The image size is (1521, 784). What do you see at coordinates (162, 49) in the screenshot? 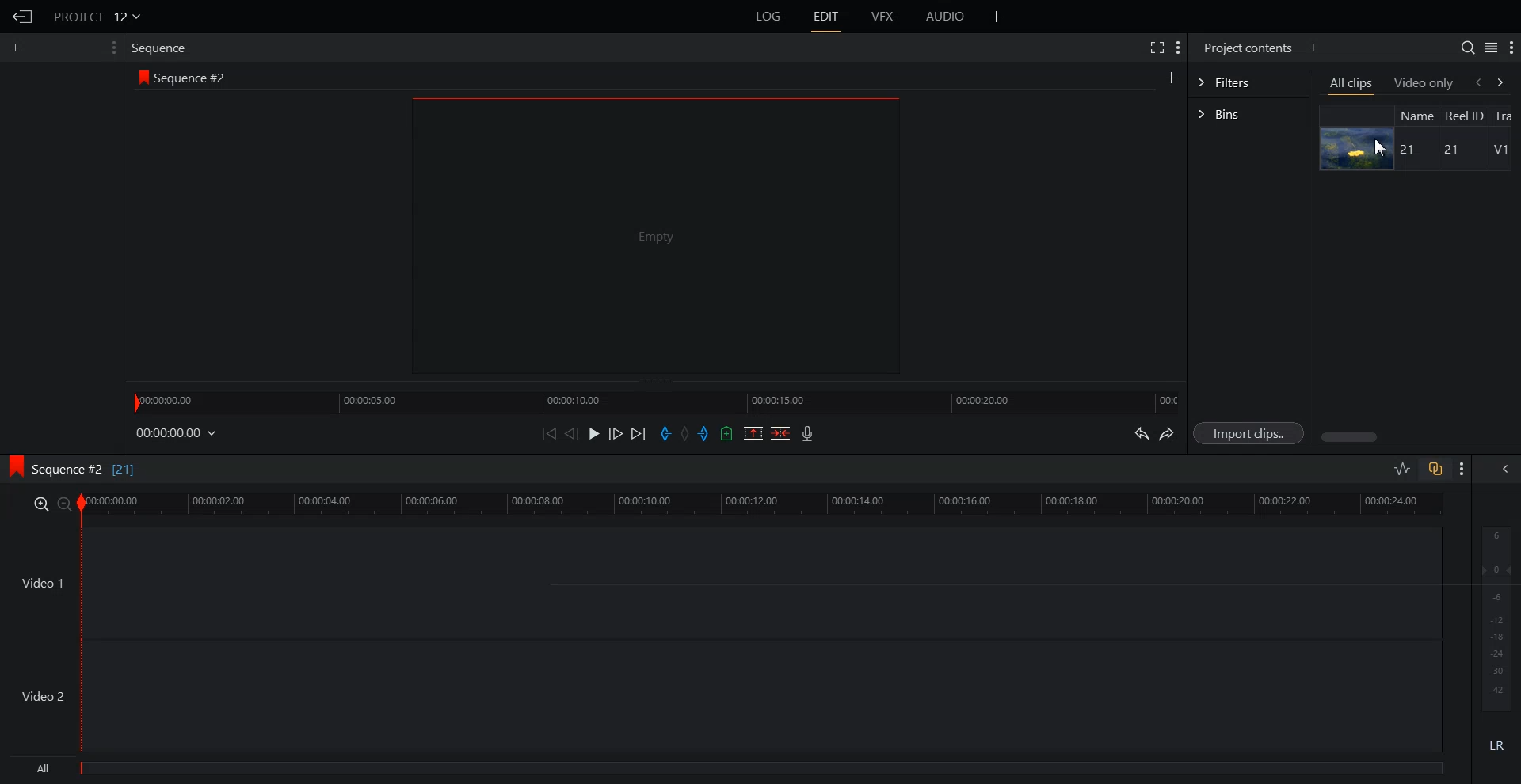
I see `Sequence` at bounding box center [162, 49].